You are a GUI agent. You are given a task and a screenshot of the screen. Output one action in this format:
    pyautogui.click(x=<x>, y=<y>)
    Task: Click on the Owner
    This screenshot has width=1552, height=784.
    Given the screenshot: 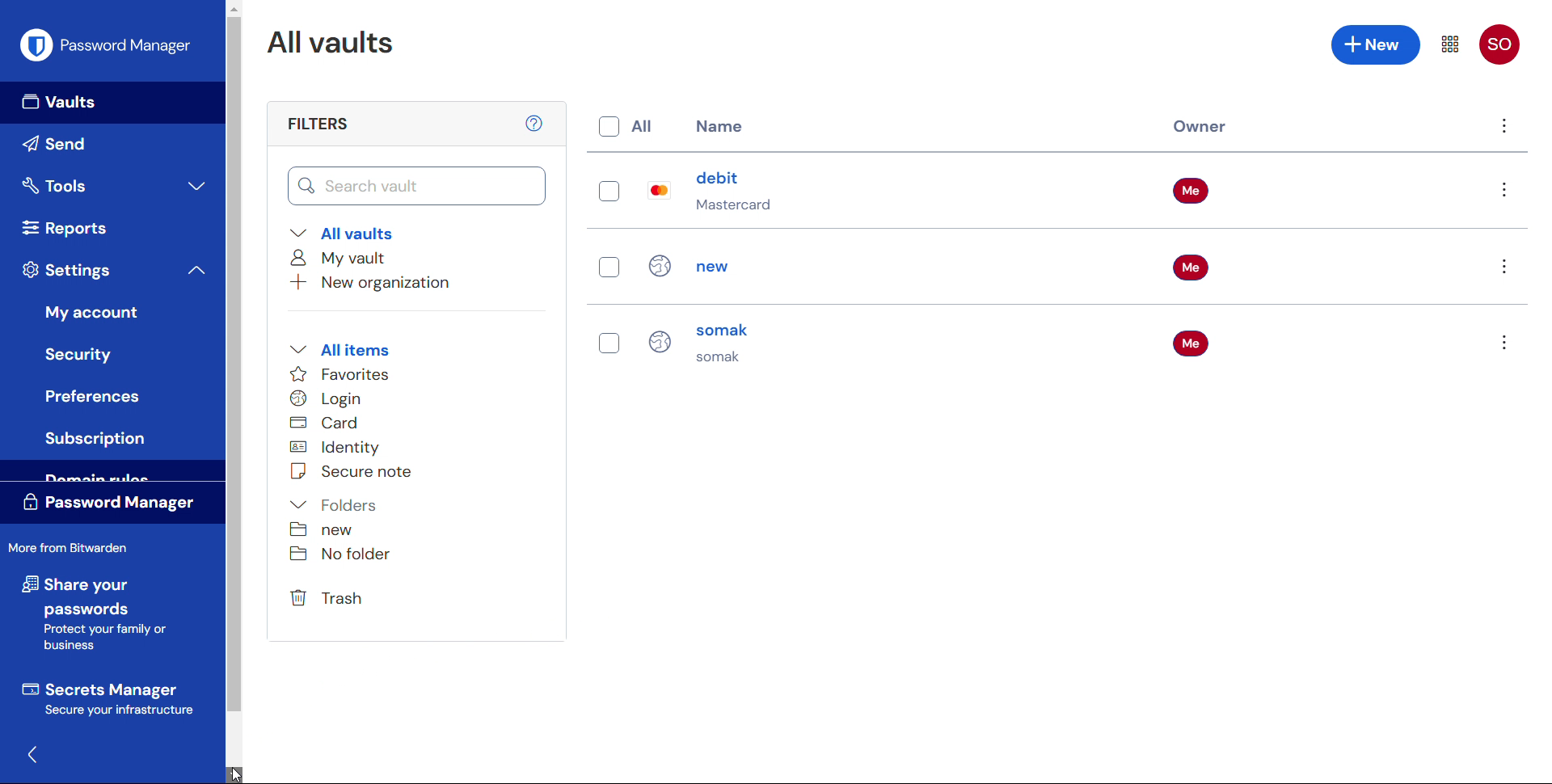 What is the action you would take?
    pyautogui.click(x=1196, y=128)
    